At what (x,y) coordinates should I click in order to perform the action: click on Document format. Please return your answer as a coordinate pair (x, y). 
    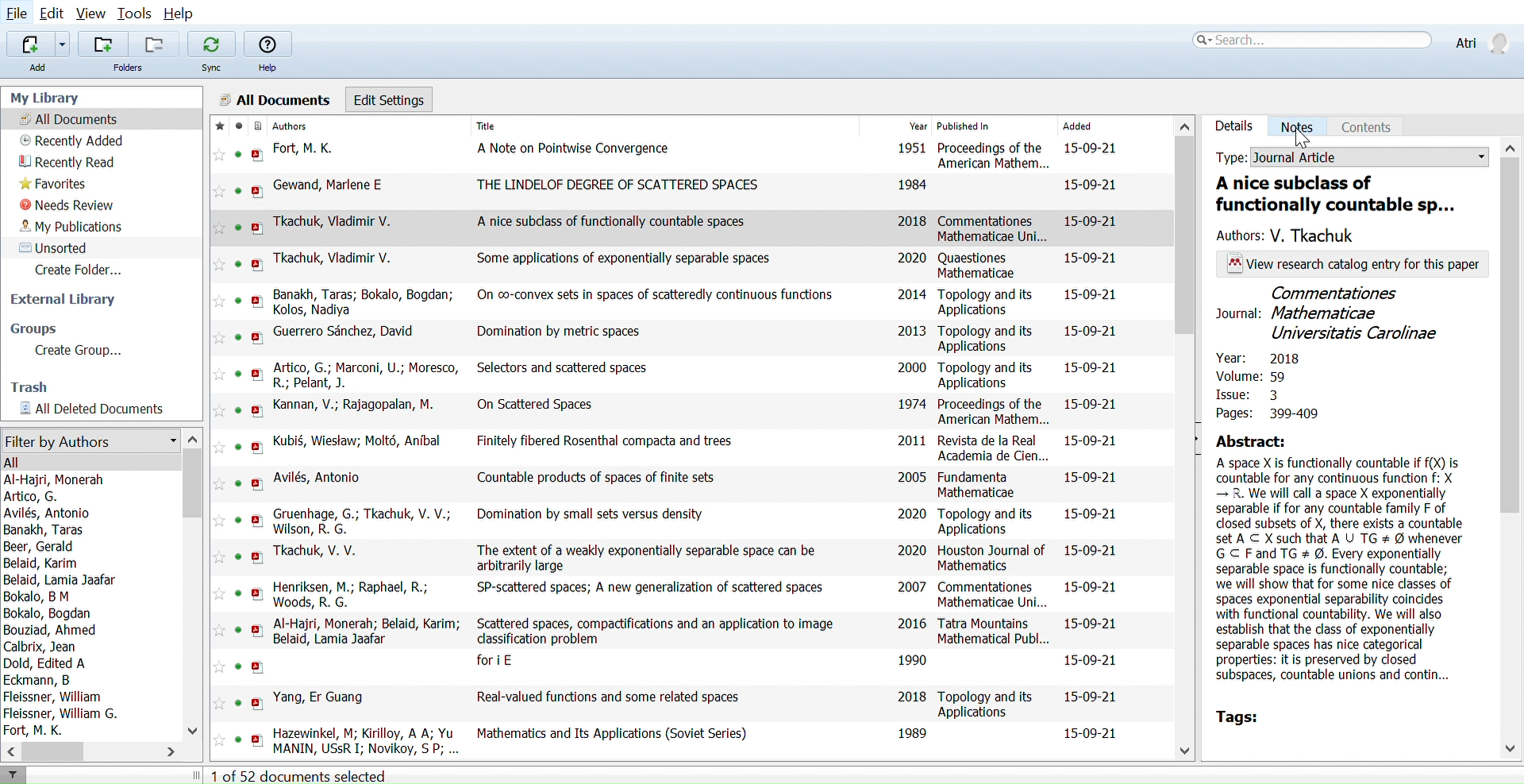
    Looking at the image, I should click on (256, 126).